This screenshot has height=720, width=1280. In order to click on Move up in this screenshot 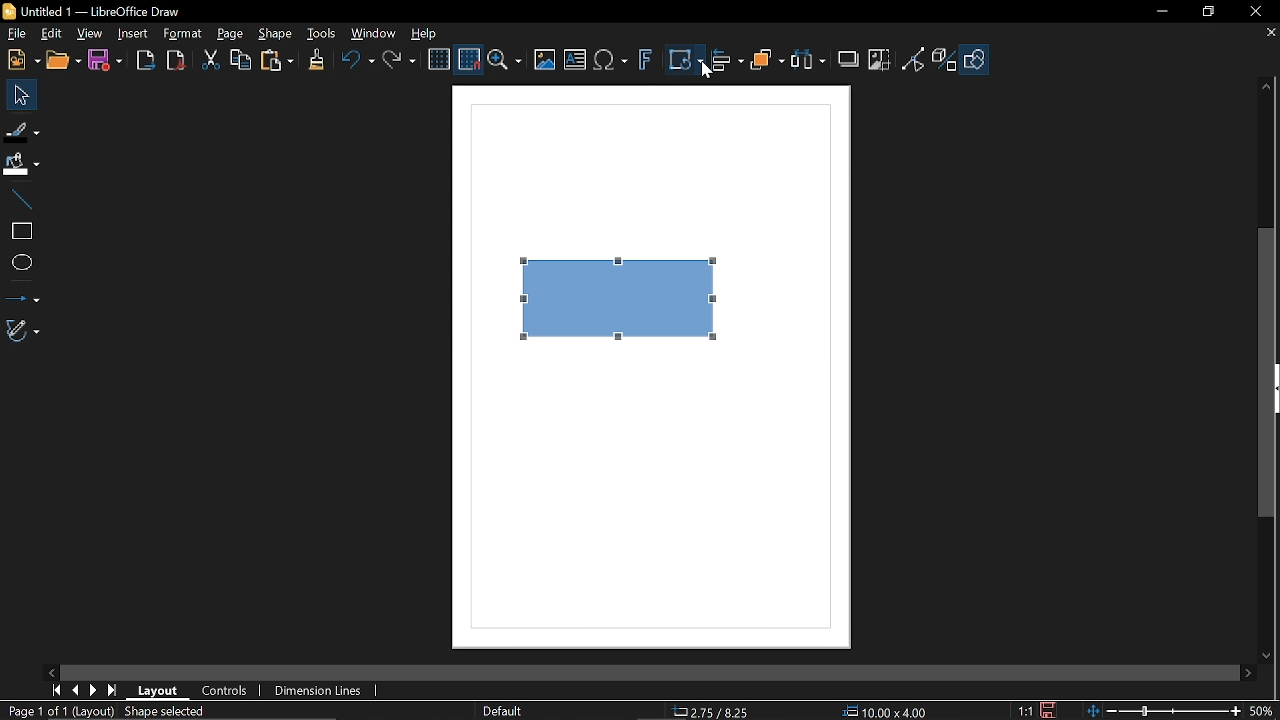, I will do `click(1269, 87)`.